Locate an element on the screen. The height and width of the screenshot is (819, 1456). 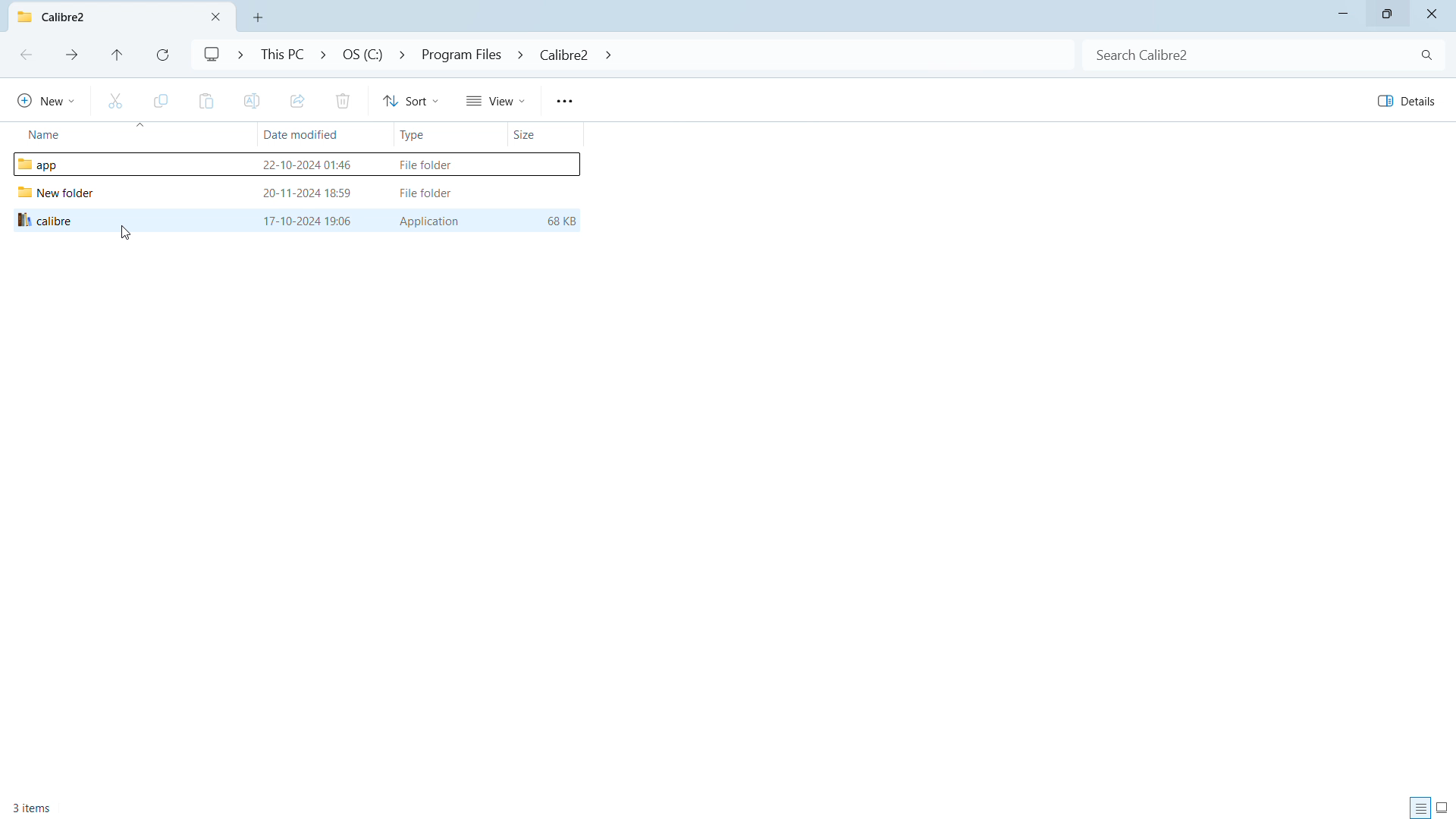
sort is located at coordinates (409, 101).